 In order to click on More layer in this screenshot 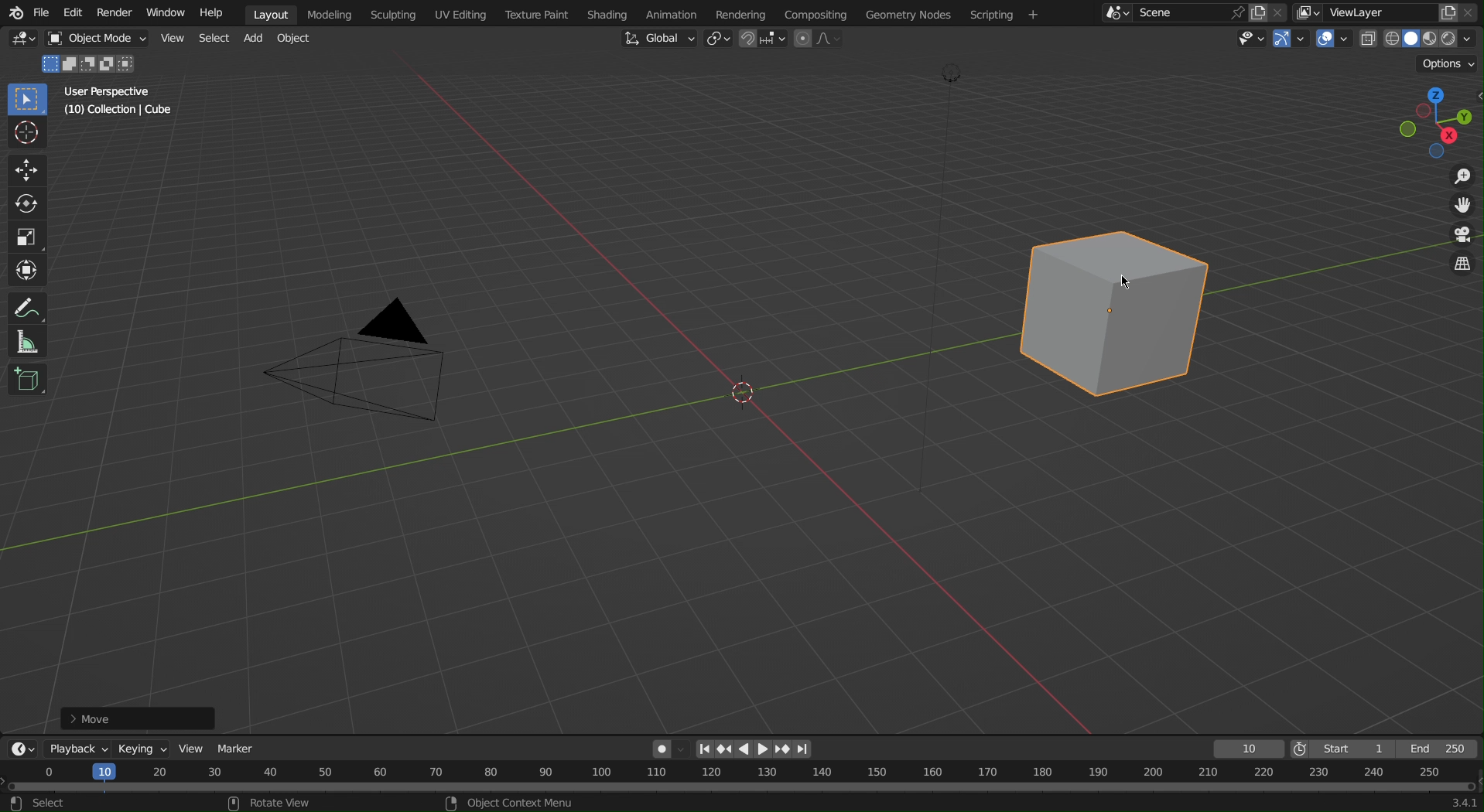, I will do `click(1308, 13)`.